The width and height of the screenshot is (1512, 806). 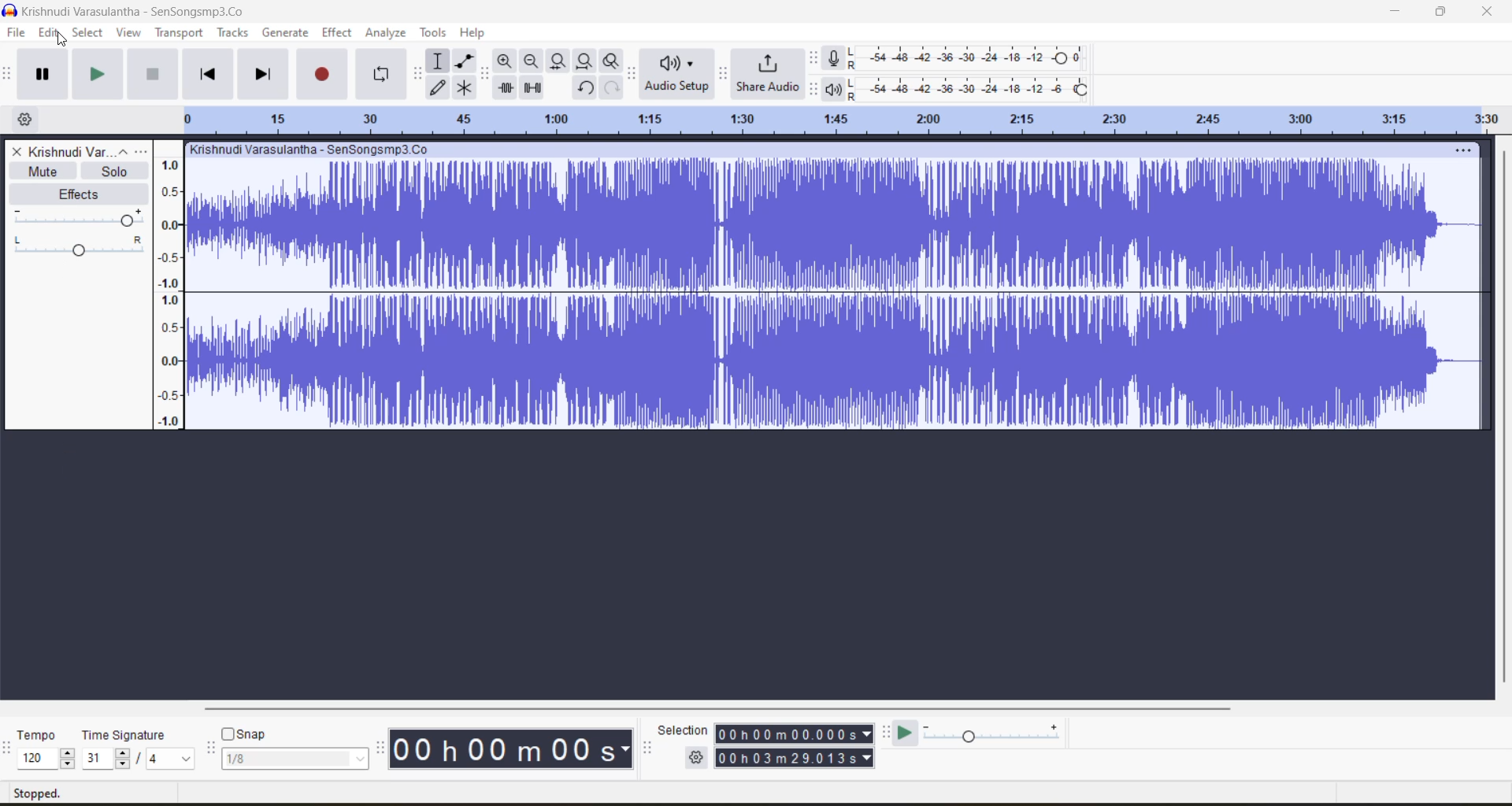 I want to click on tools toolbar, so click(x=416, y=74).